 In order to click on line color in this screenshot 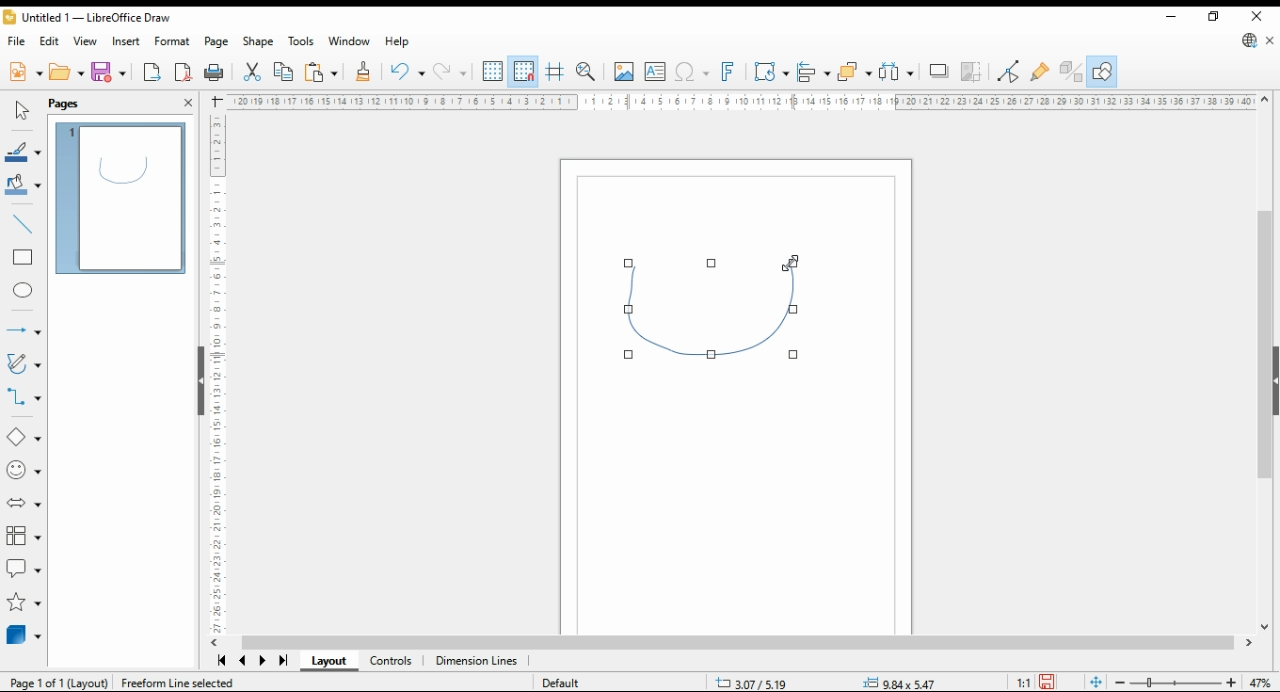, I will do `click(22, 153)`.